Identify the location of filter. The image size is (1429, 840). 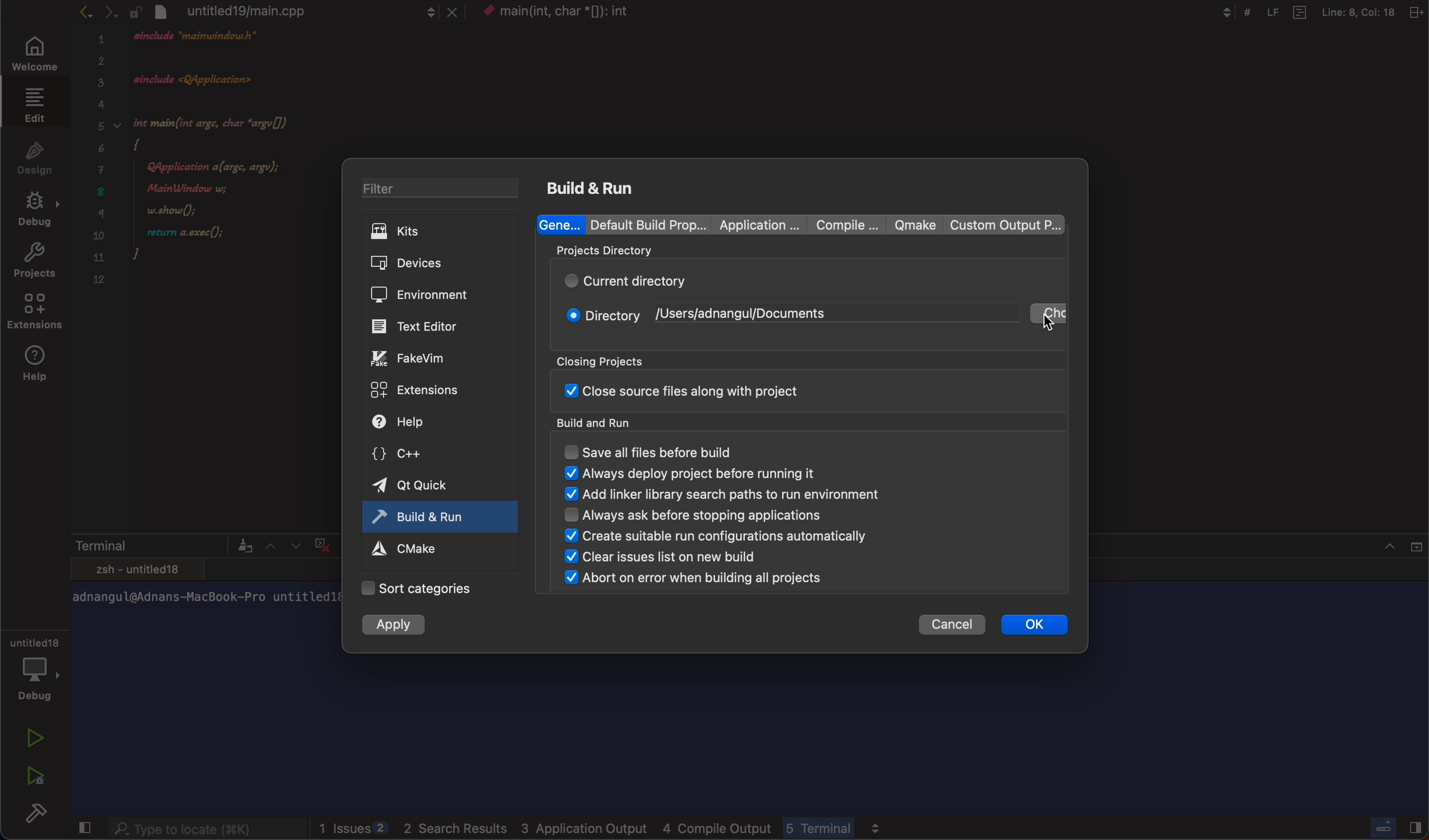
(442, 190).